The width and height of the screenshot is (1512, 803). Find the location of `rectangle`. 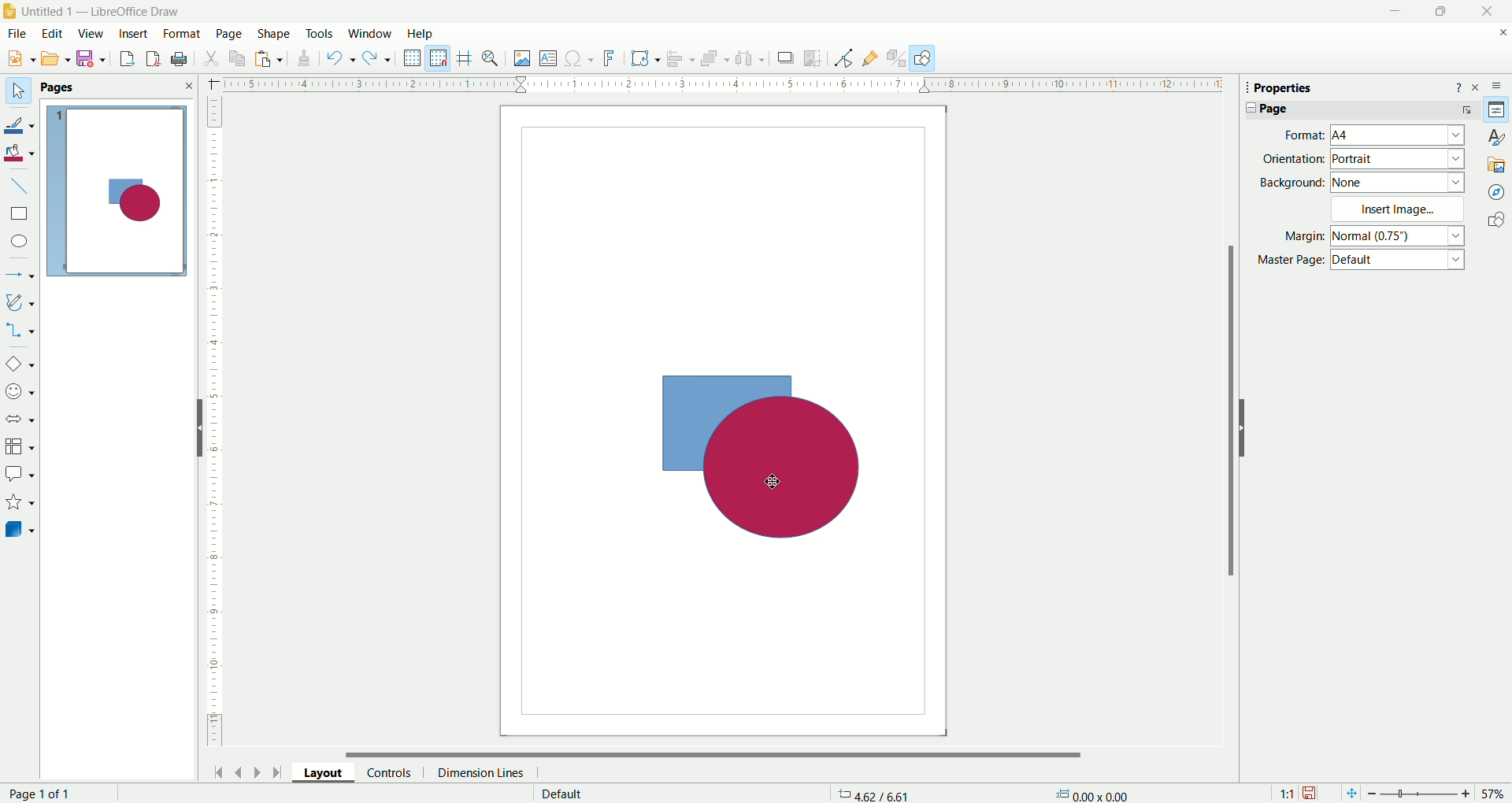

rectangle is located at coordinates (19, 213).